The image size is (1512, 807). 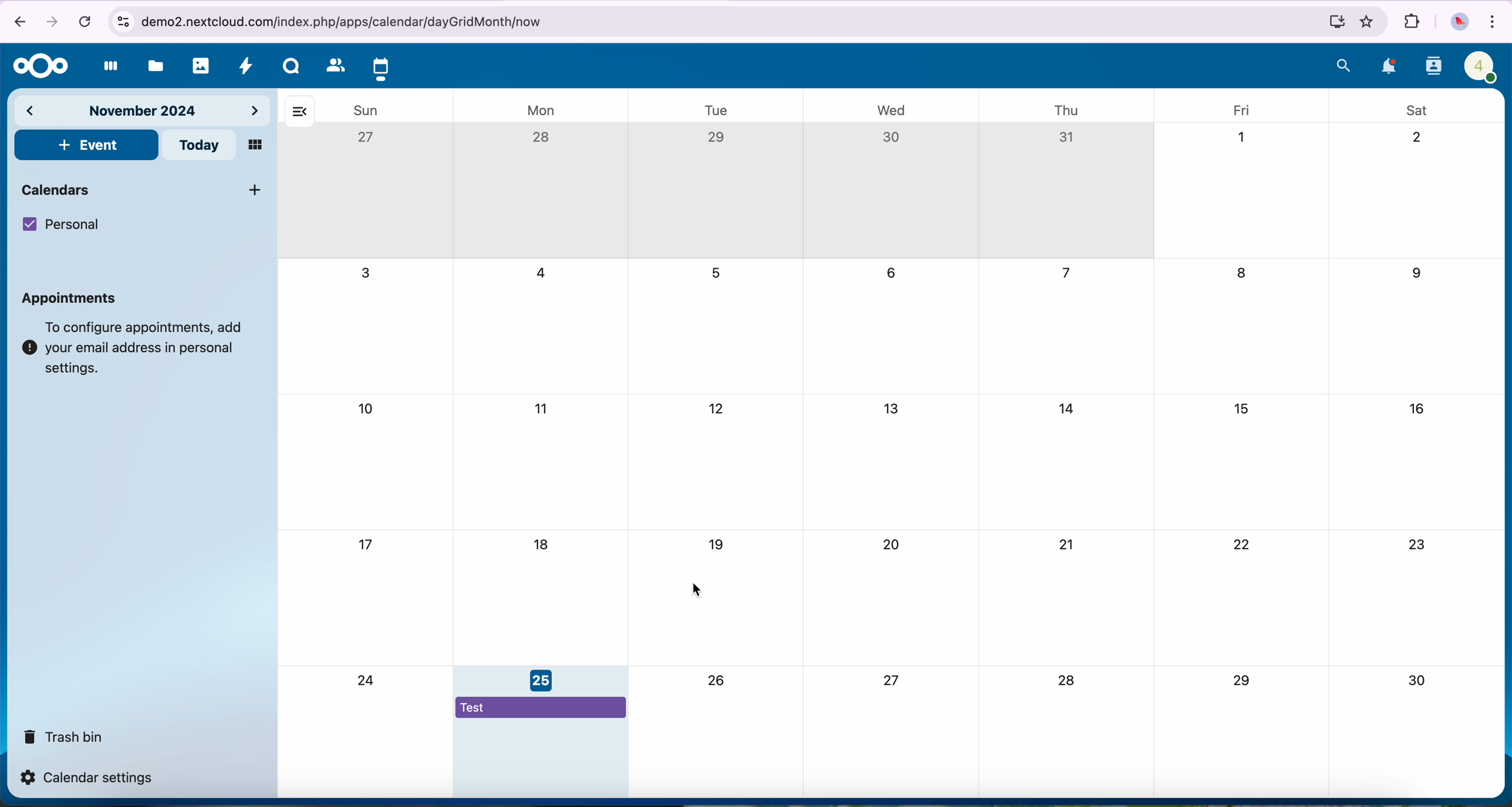 I want to click on 5, so click(x=718, y=273).